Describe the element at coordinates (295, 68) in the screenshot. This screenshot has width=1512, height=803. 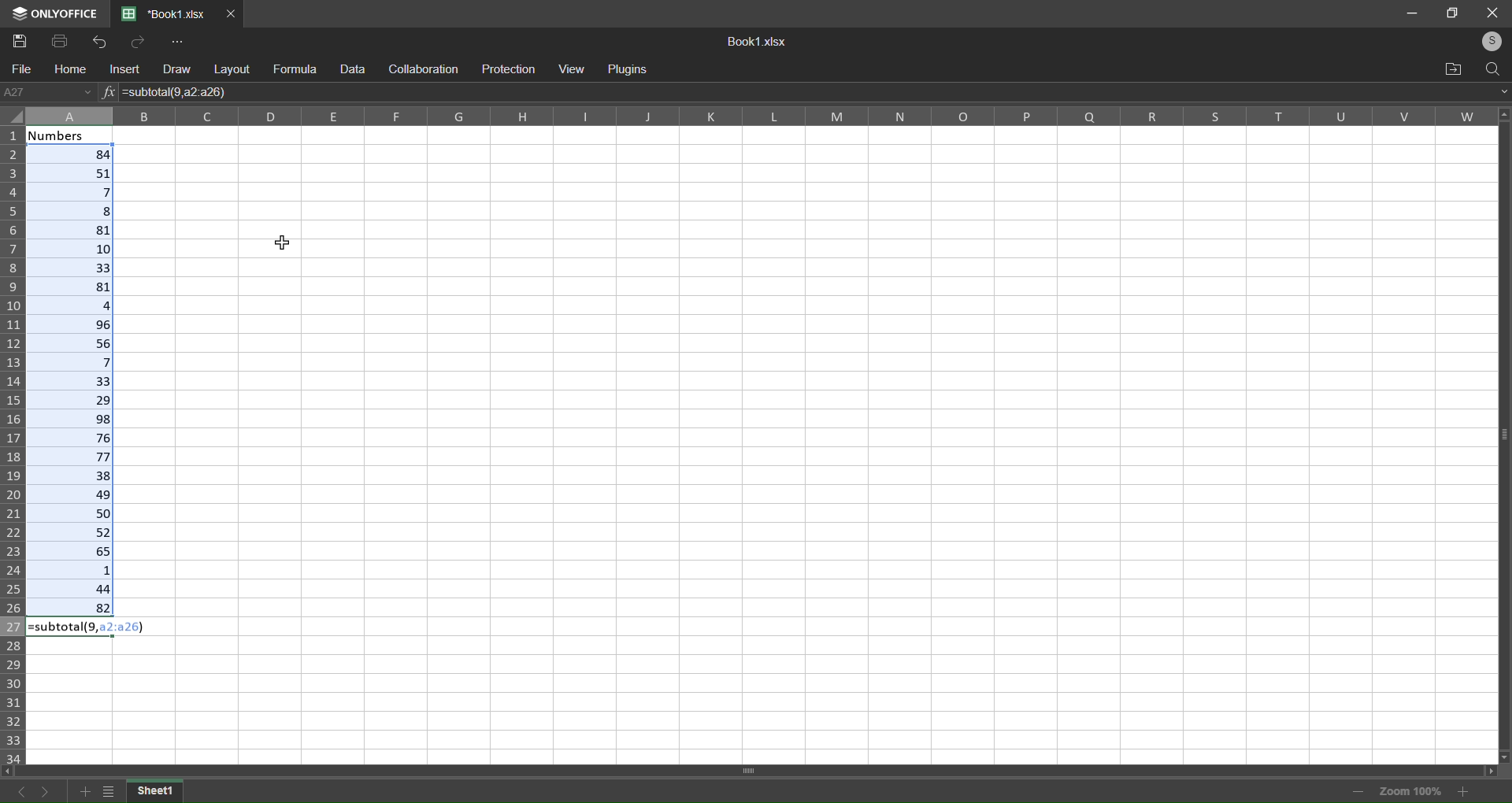
I see `formula` at that location.